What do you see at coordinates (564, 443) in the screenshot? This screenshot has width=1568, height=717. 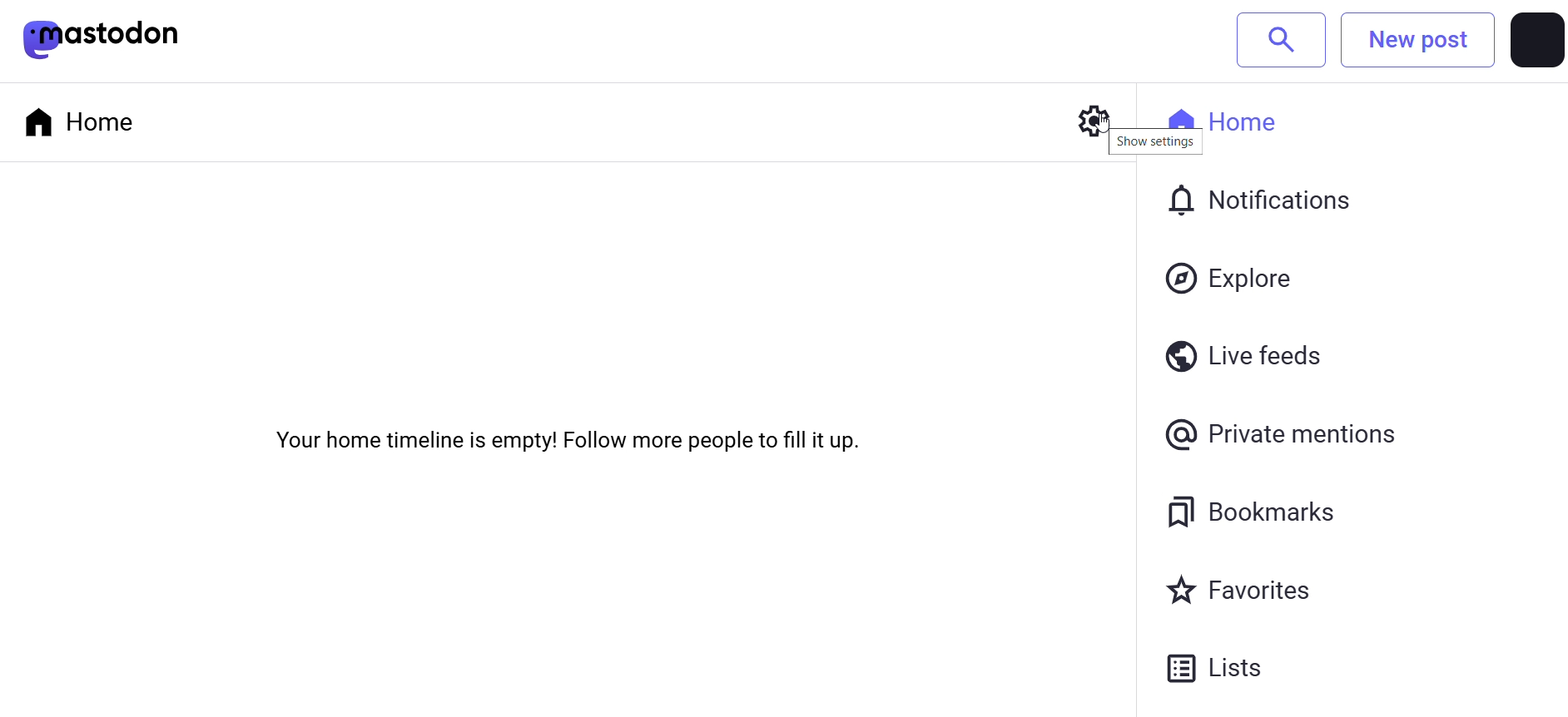 I see `Your home timeline is empty! Follow more people to fill it up.` at bounding box center [564, 443].